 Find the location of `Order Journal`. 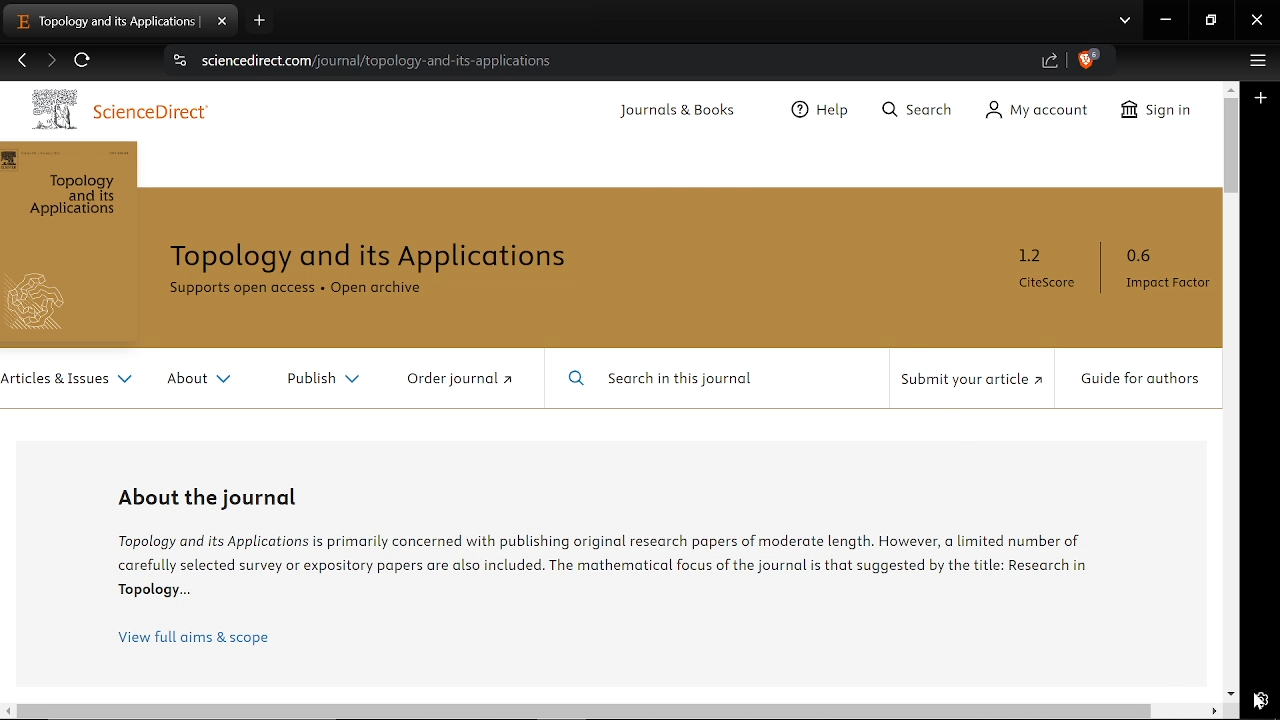

Order Journal is located at coordinates (462, 380).